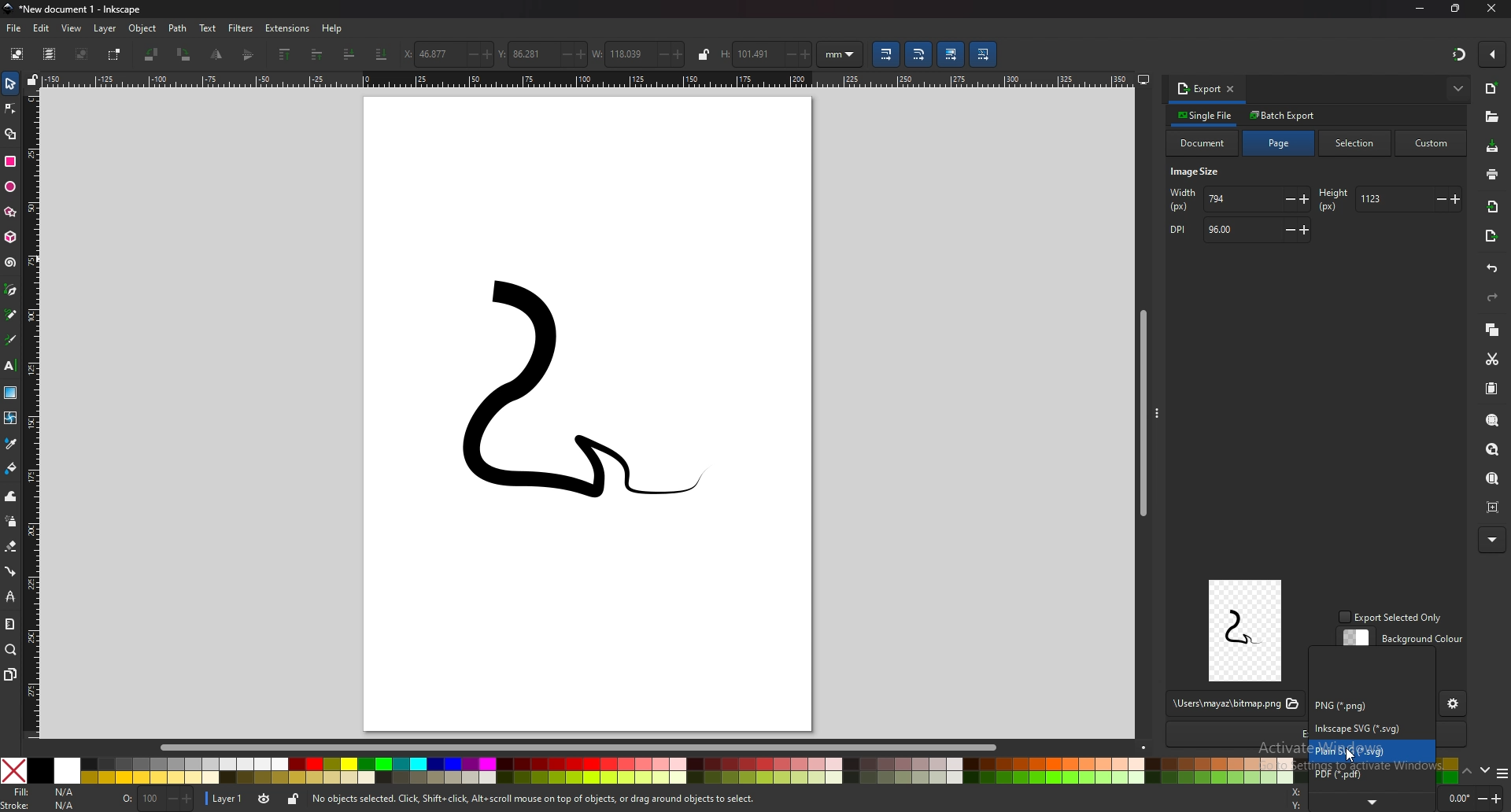 Image resolution: width=1511 pixels, height=812 pixels. I want to click on export selected only, so click(1393, 618).